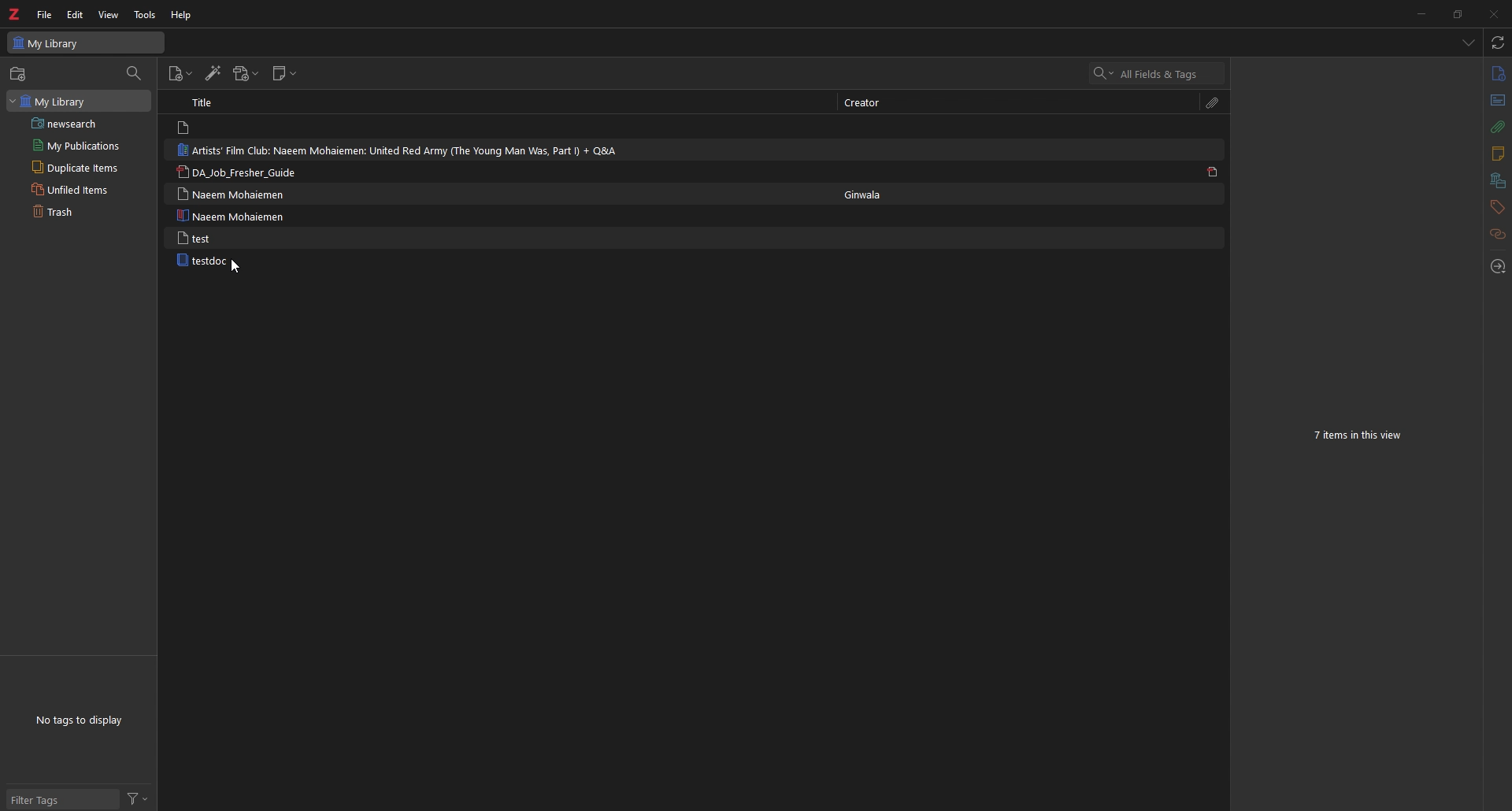 Image resolution: width=1512 pixels, height=811 pixels. I want to click on tools, so click(146, 15).